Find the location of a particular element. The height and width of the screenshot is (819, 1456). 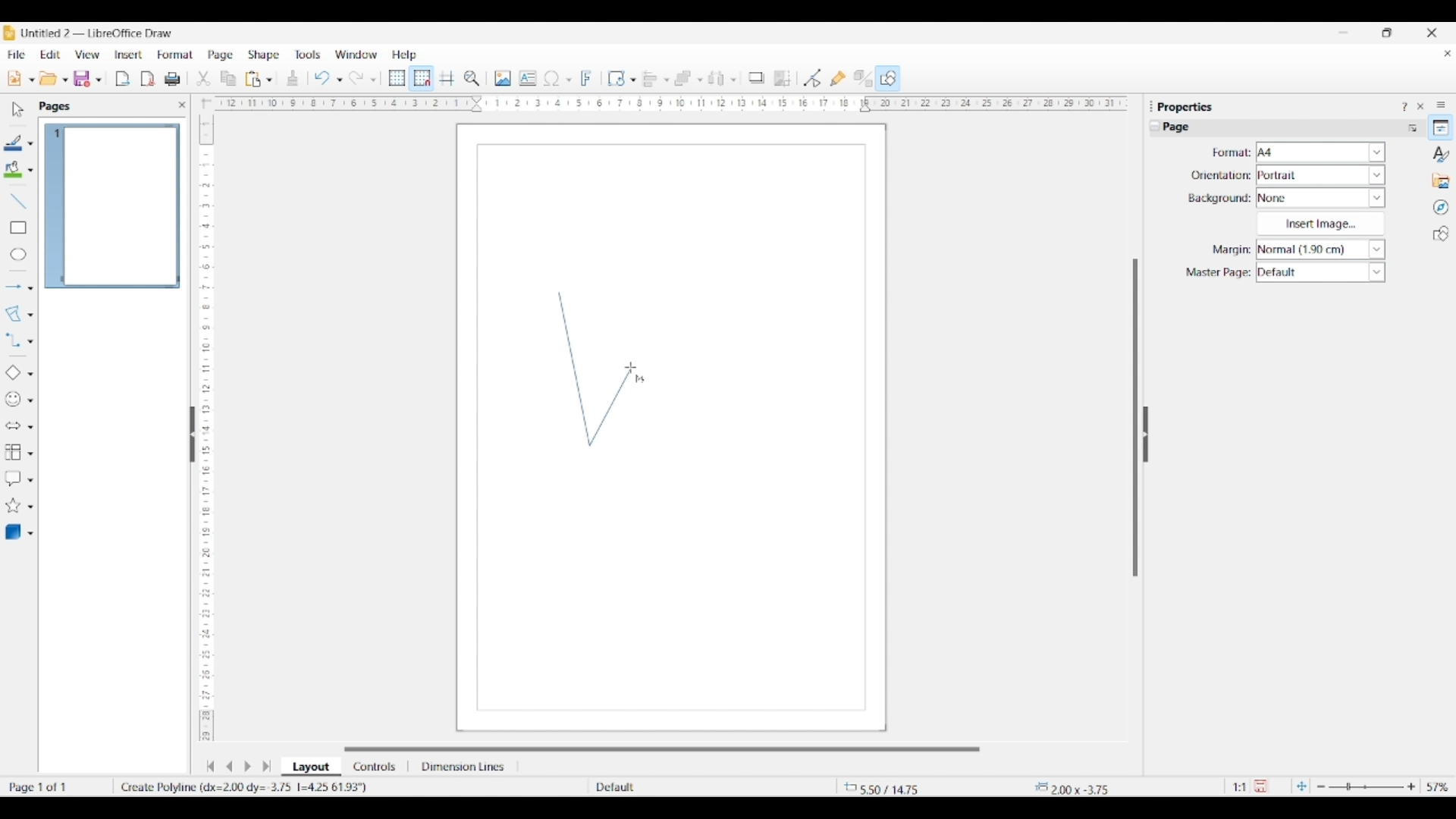

Symbol shape options is located at coordinates (30, 400).